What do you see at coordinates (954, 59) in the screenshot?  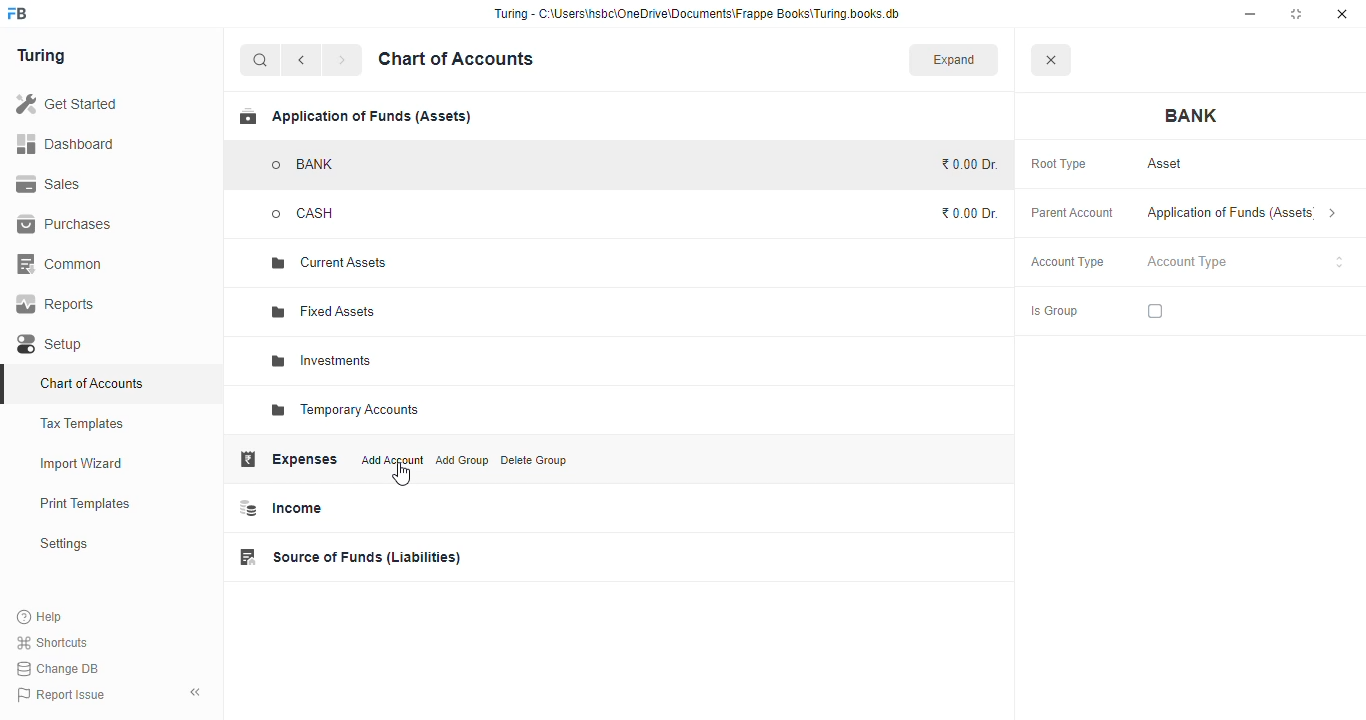 I see `expand` at bounding box center [954, 59].